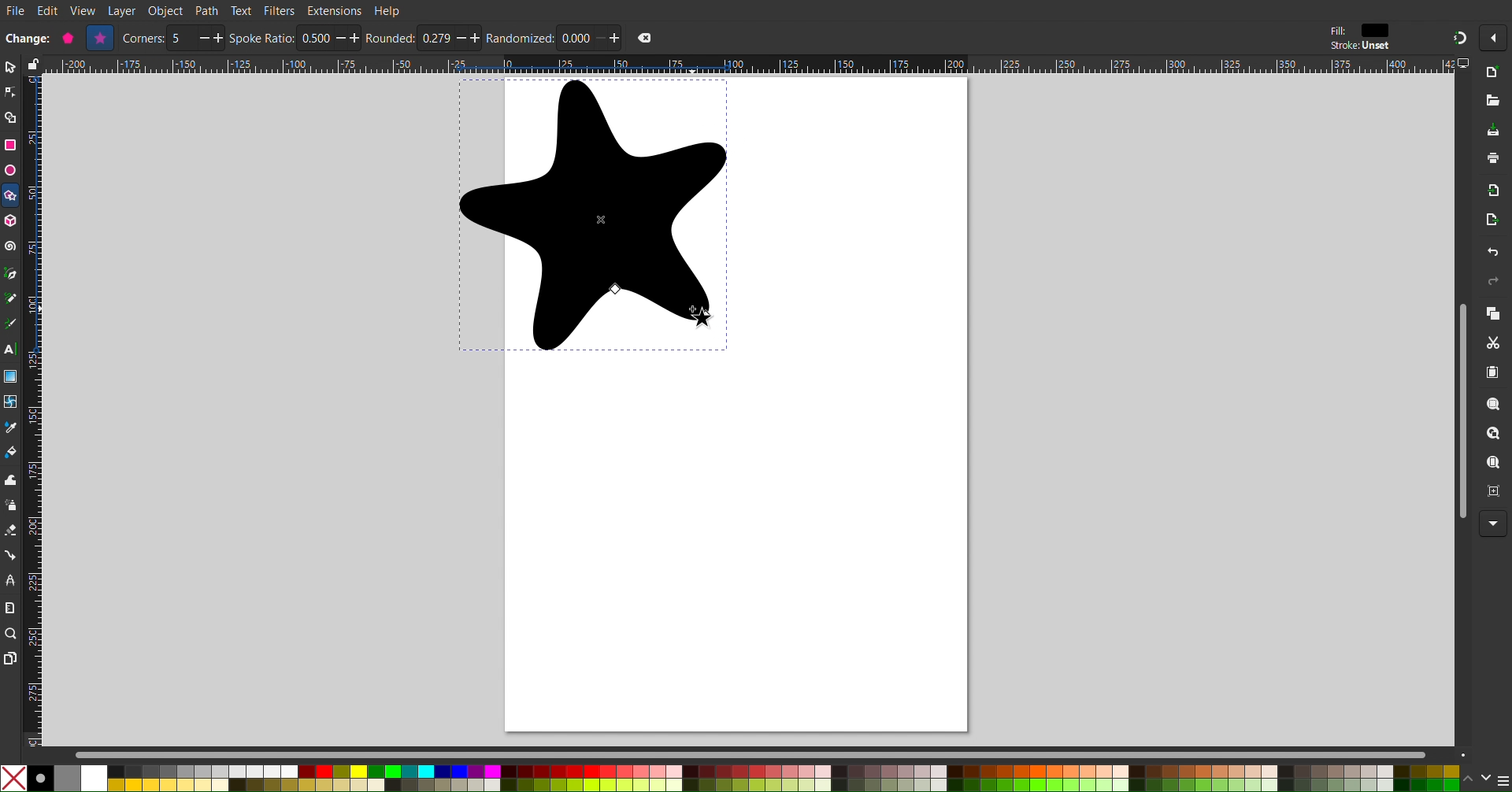 This screenshot has width=1512, height=792. What do you see at coordinates (313, 37) in the screenshot?
I see `0.5` at bounding box center [313, 37].